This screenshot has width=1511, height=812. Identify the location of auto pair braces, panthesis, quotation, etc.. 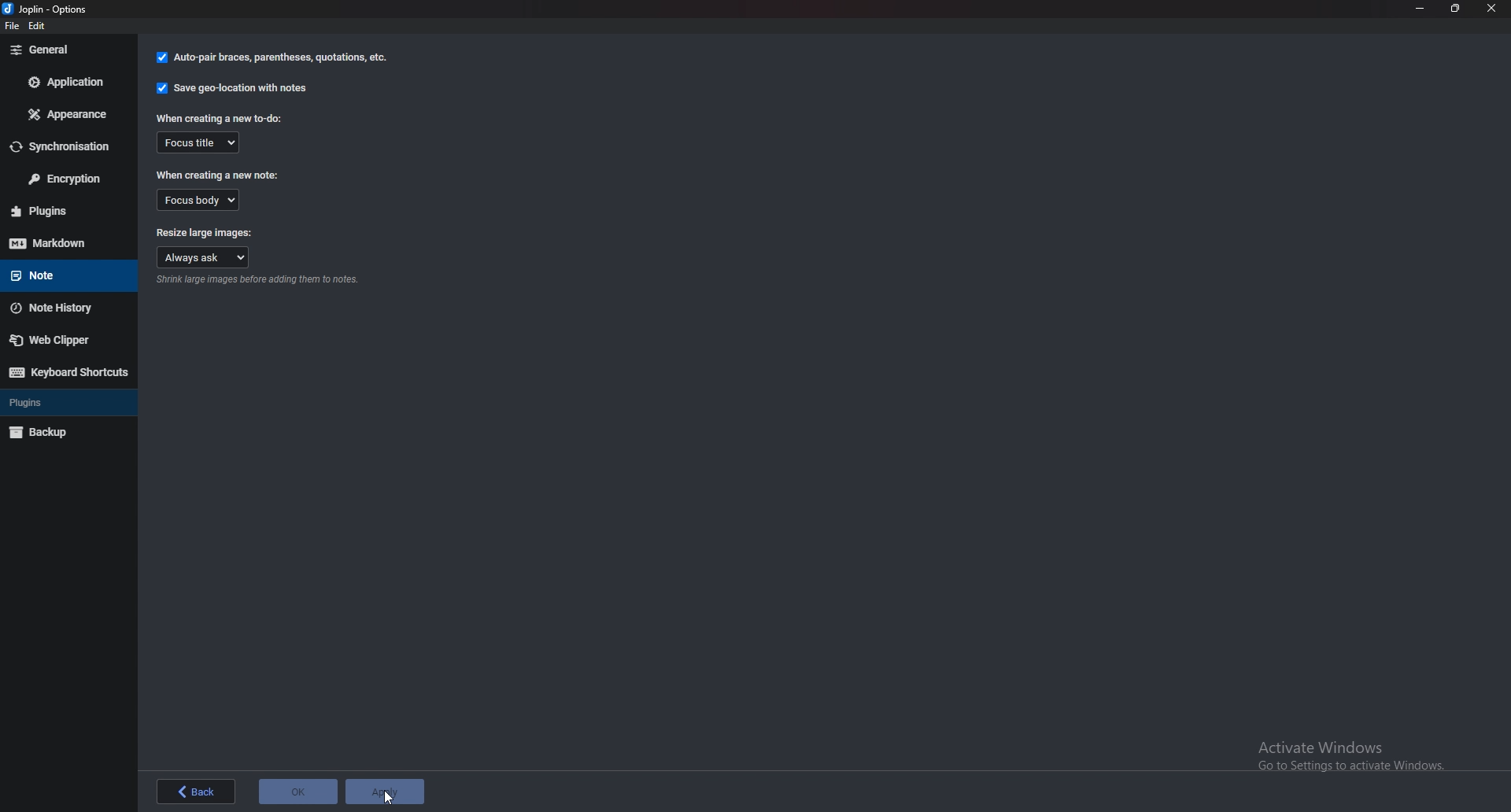
(270, 58).